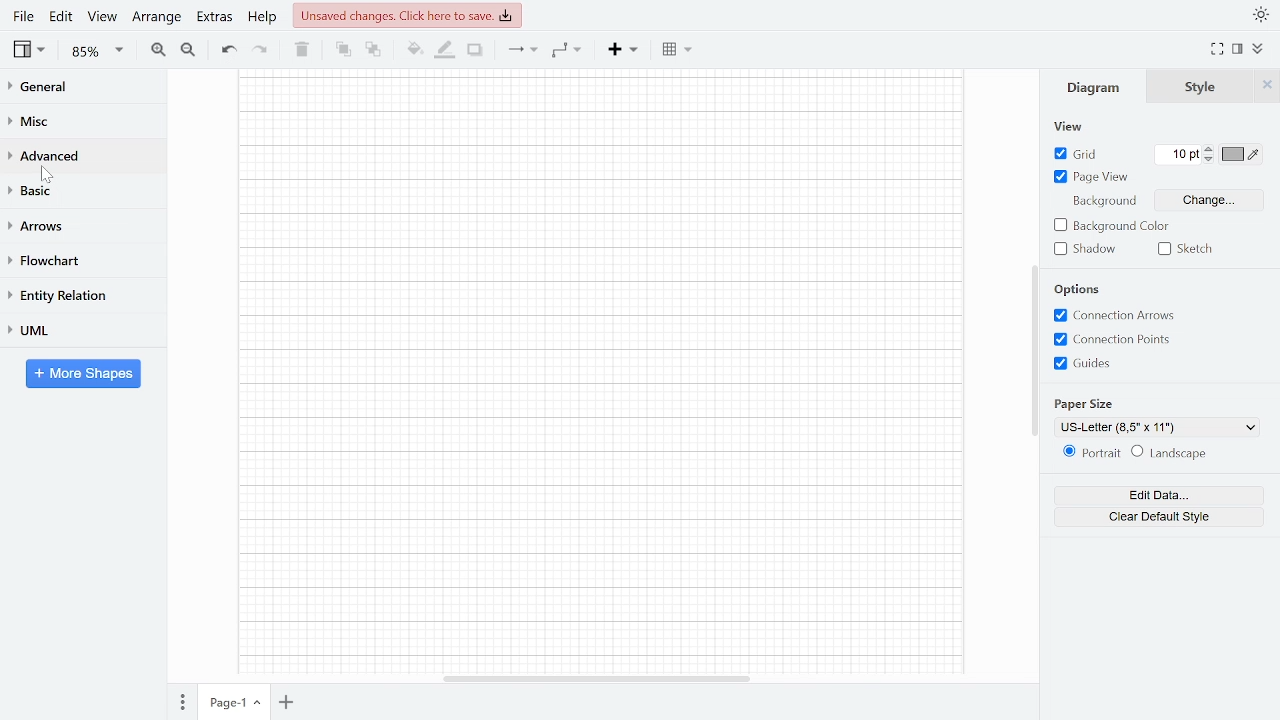 Image resolution: width=1280 pixels, height=720 pixels. What do you see at coordinates (594, 680) in the screenshot?
I see `Horizantal scrollbar` at bounding box center [594, 680].